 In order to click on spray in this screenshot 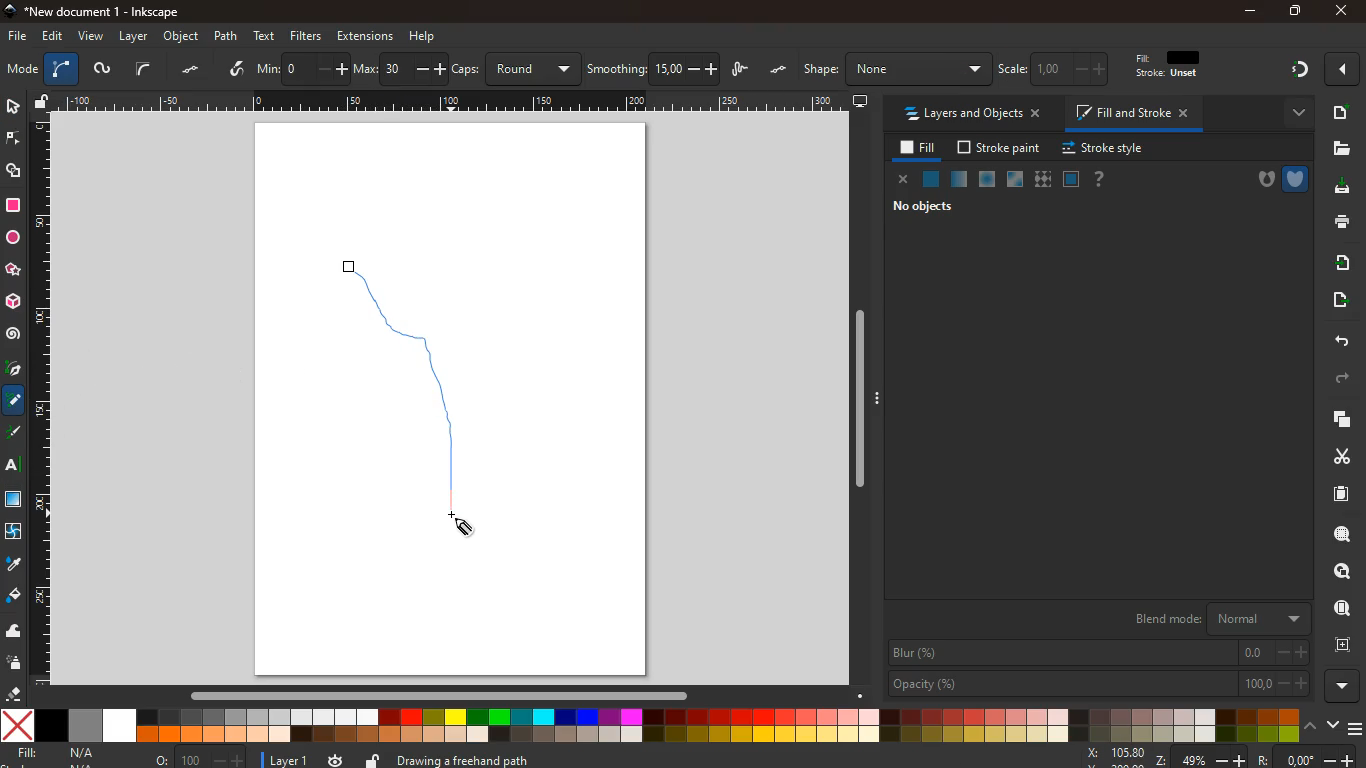, I will do `click(18, 663)`.